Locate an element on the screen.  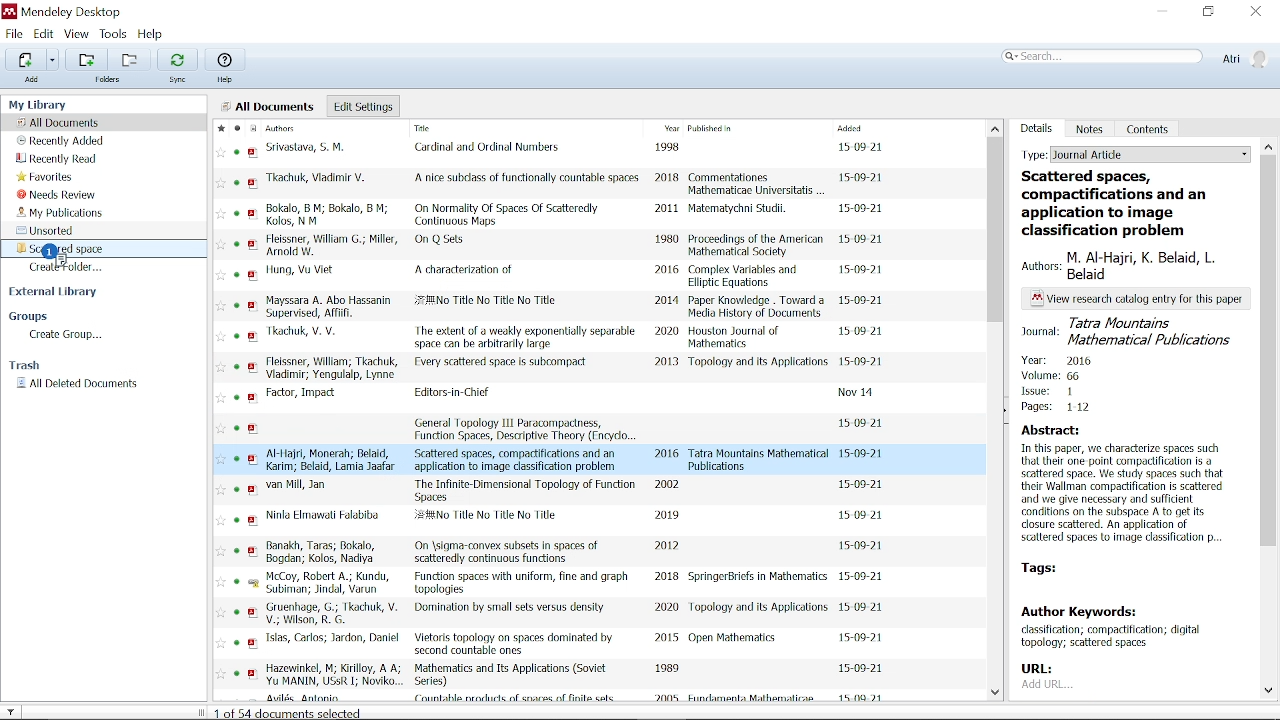
title is located at coordinates (513, 645).